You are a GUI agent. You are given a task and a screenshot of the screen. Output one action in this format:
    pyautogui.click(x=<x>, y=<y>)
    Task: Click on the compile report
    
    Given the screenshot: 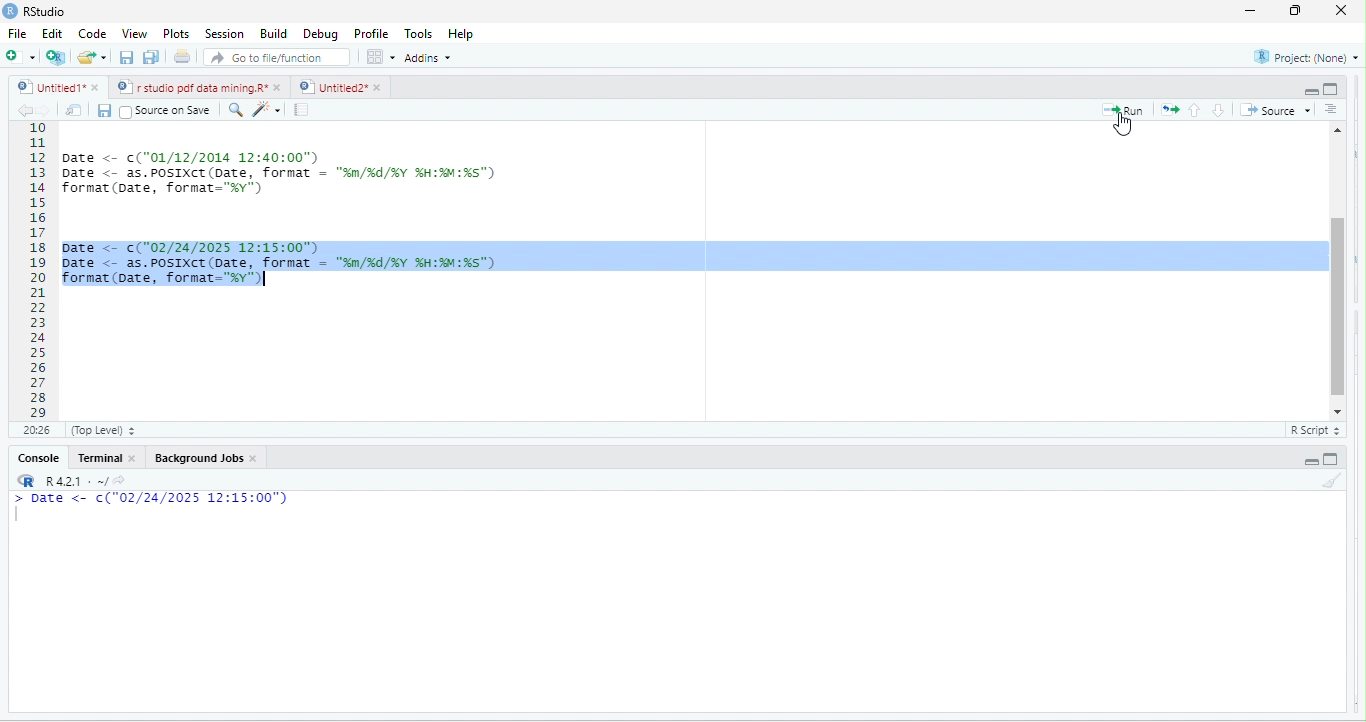 What is the action you would take?
    pyautogui.click(x=304, y=109)
    